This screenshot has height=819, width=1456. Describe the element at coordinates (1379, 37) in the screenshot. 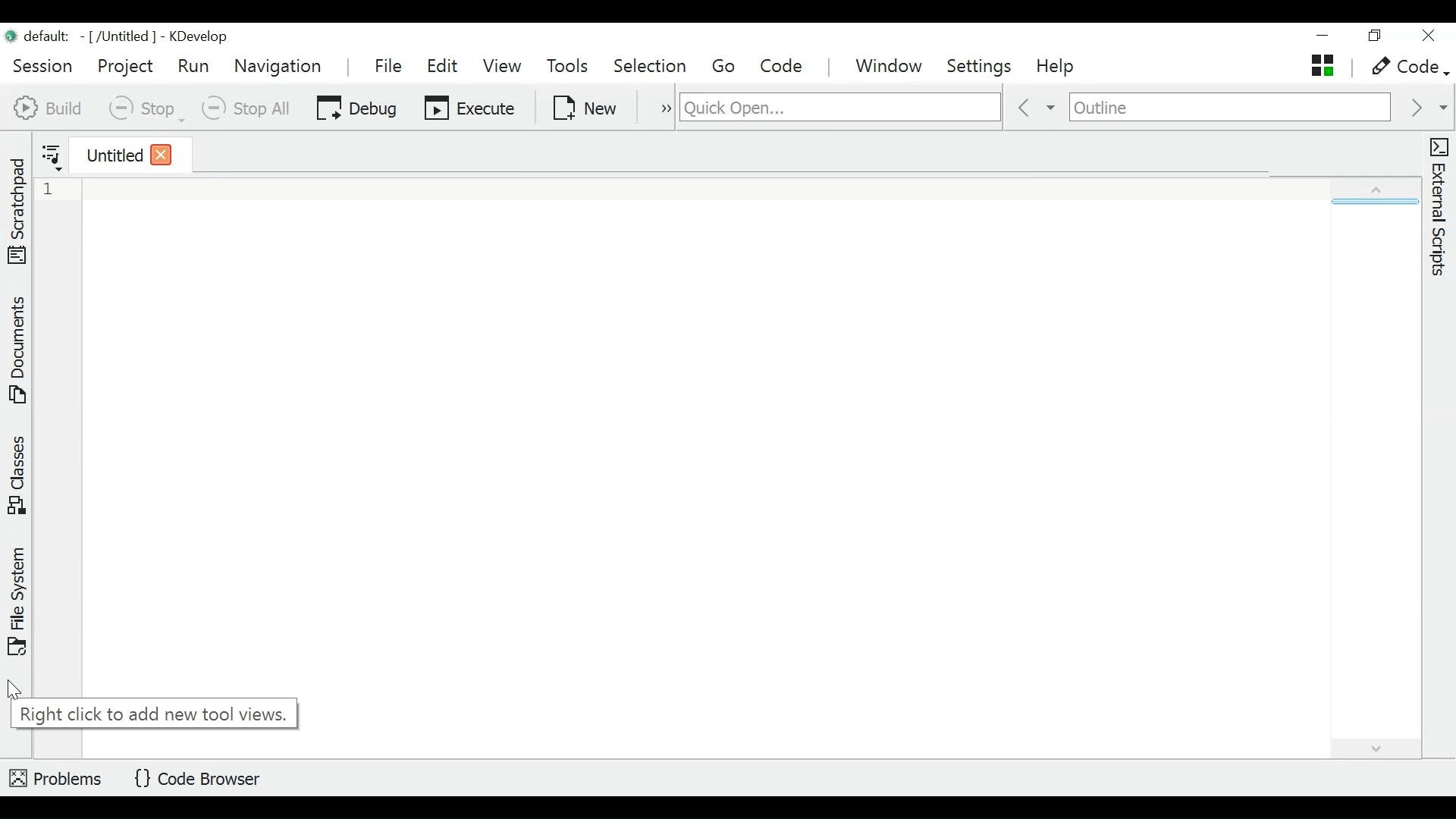

I see `restore` at that location.